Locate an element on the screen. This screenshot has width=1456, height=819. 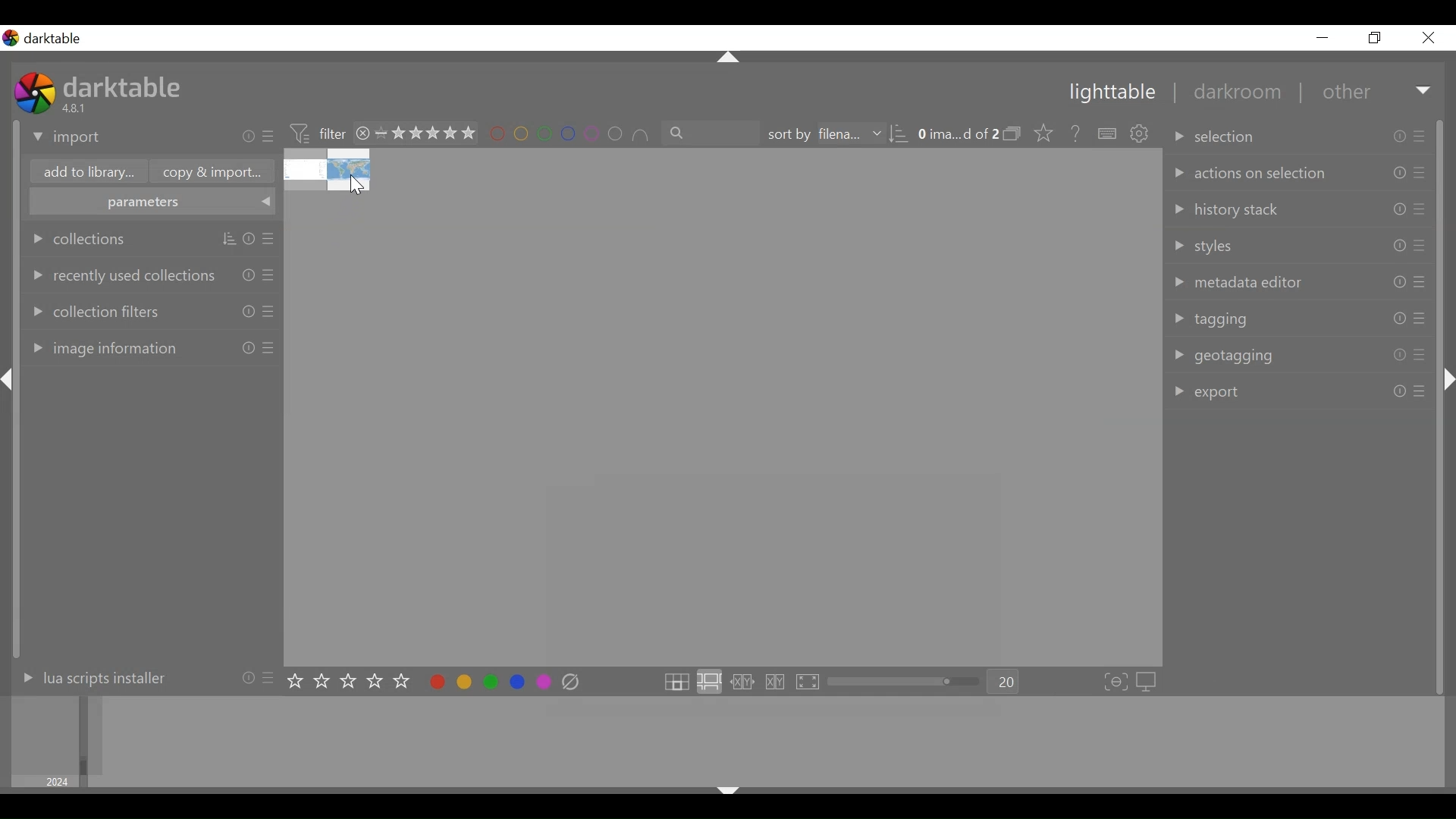
collections is located at coordinates (93, 240).